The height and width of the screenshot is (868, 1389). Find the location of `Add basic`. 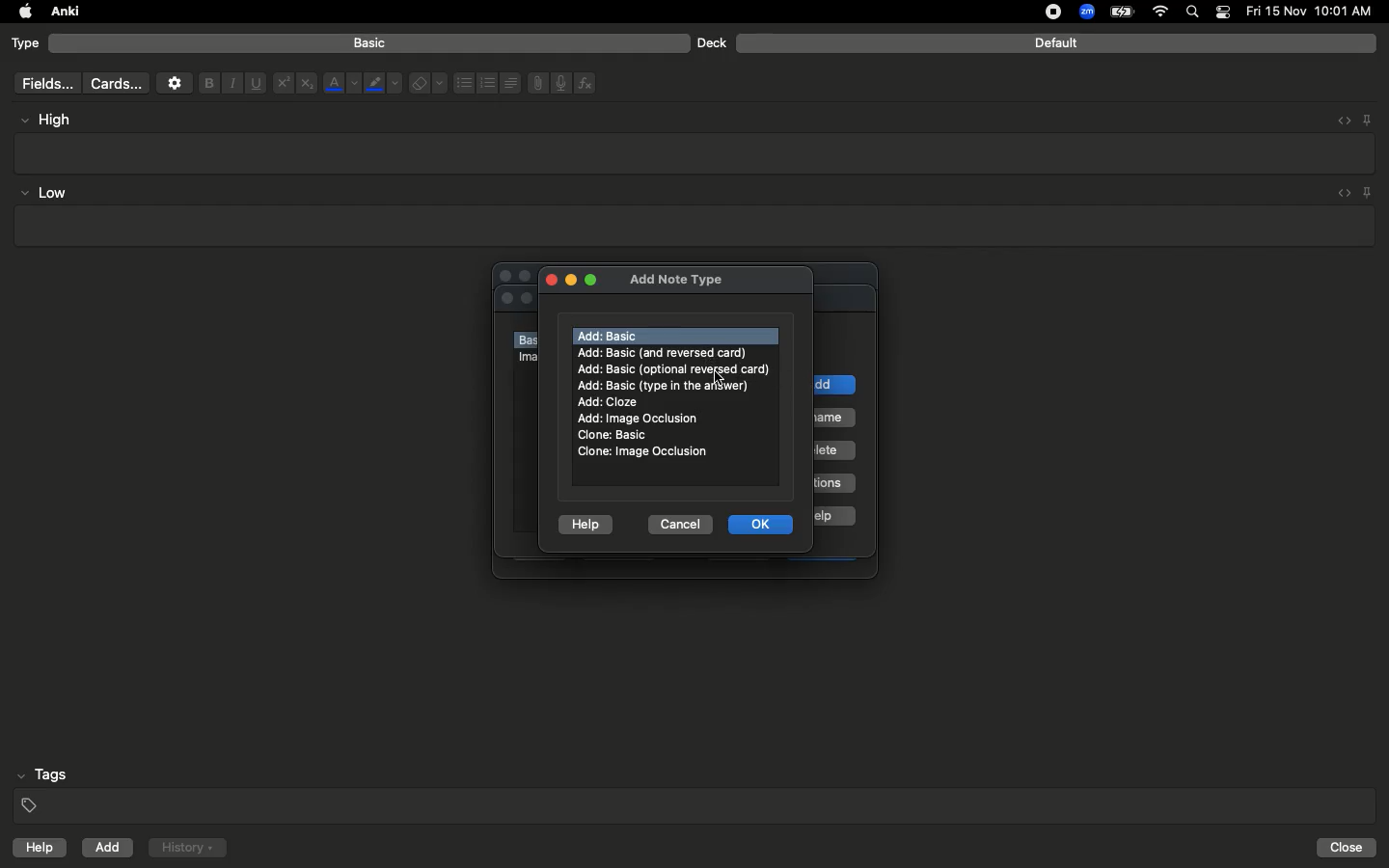

Add basic is located at coordinates (611, 336).